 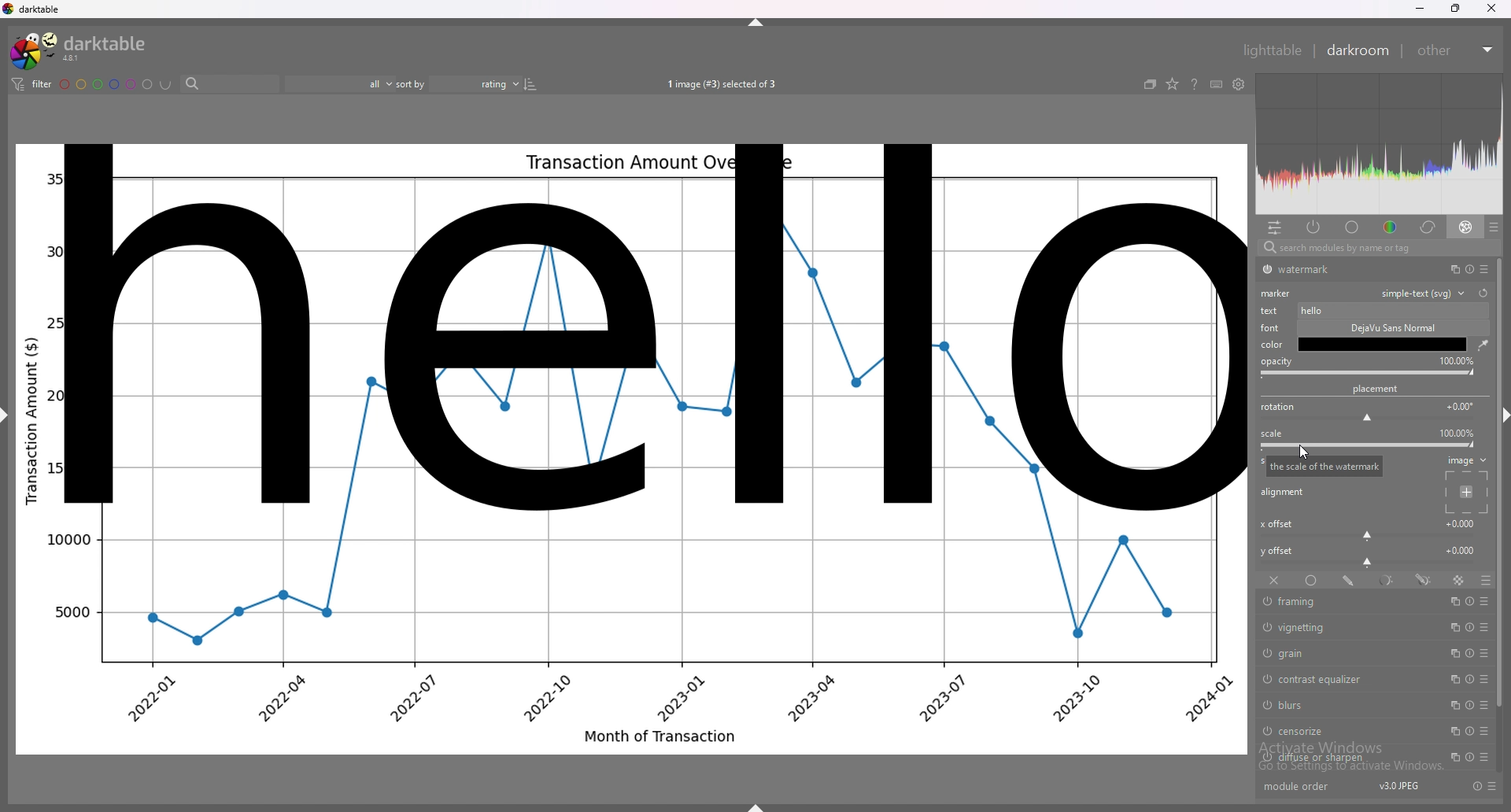 I want to click on raster mask, so click(x=1459, y=580).